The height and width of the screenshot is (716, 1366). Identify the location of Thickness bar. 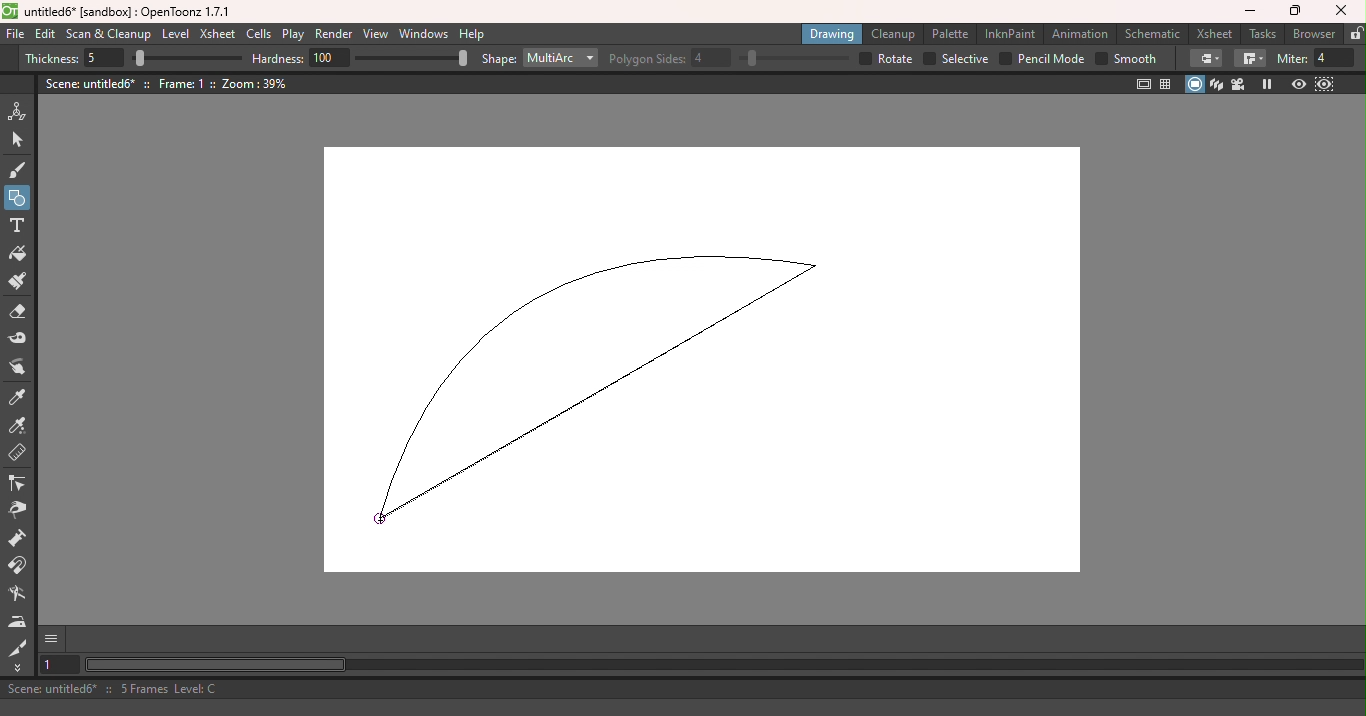
(186, 57).